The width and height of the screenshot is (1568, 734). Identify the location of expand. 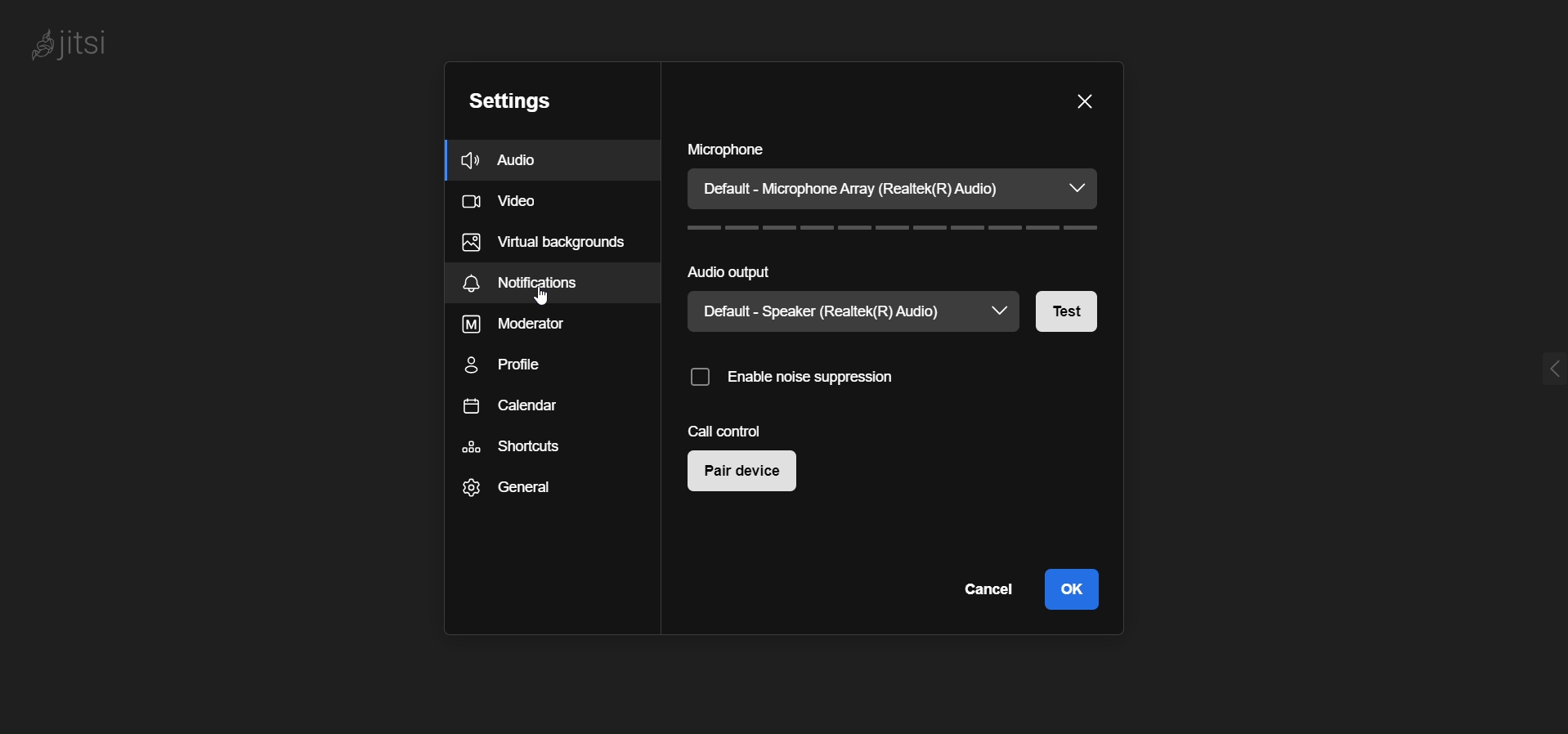
(1533, 365).